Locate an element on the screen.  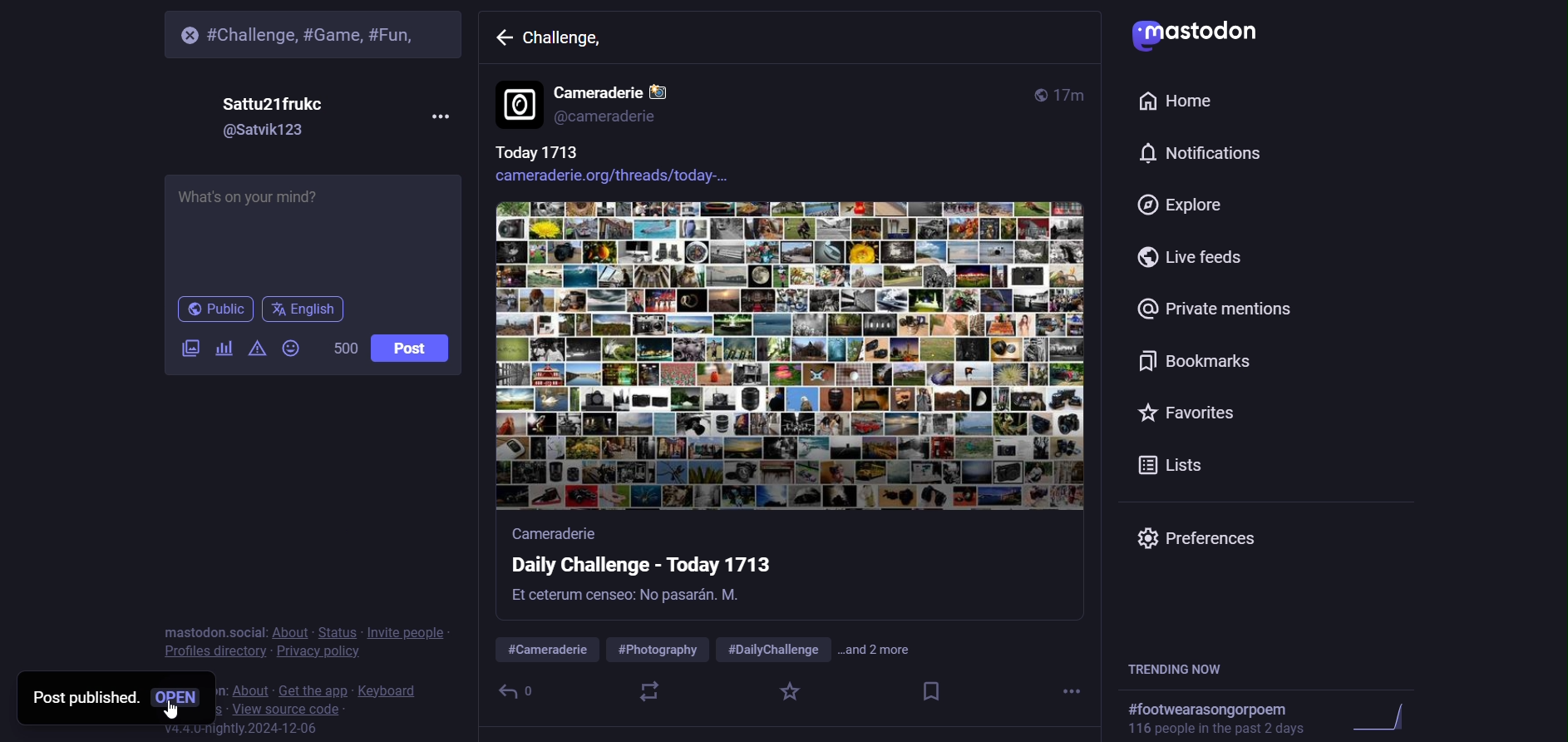
#Challenge, #Game, #Fun, is located at coordinates (320, 32).